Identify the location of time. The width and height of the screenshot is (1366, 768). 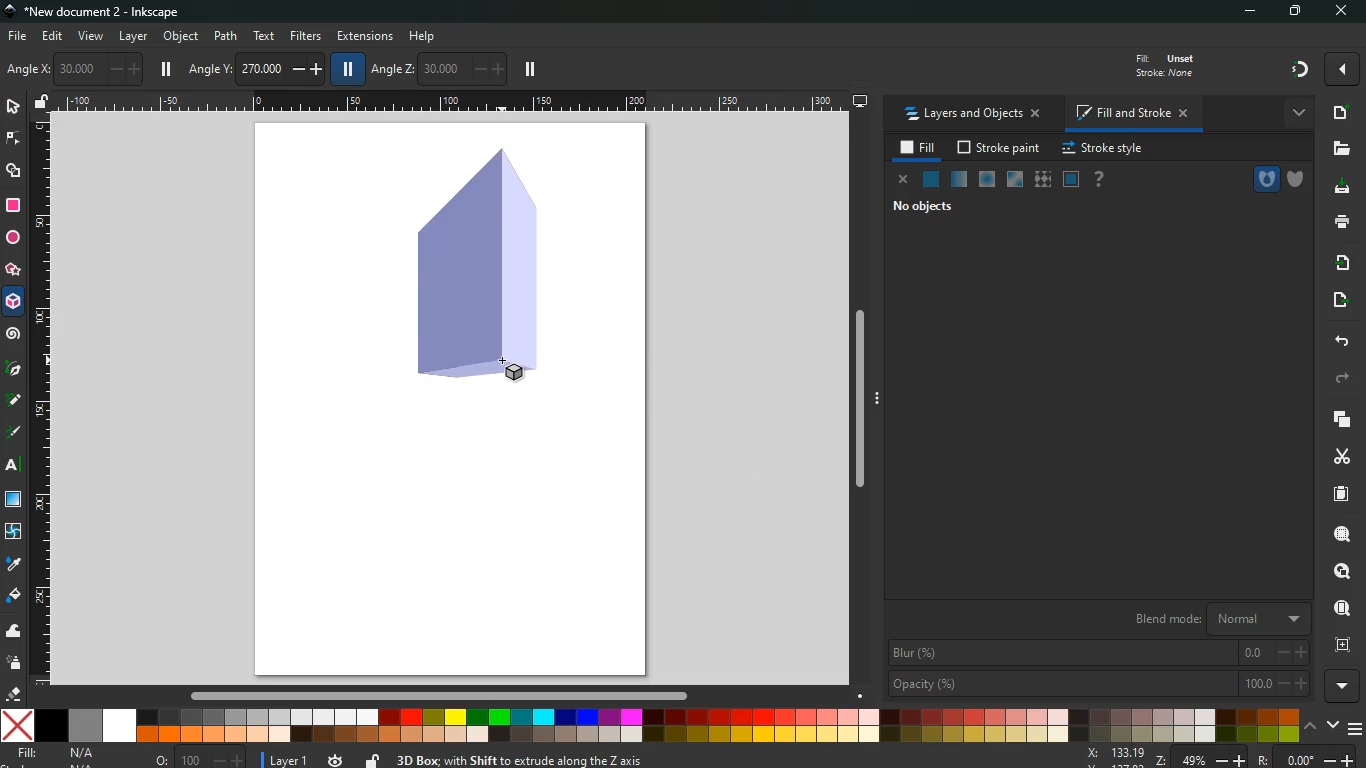
(336, 756).